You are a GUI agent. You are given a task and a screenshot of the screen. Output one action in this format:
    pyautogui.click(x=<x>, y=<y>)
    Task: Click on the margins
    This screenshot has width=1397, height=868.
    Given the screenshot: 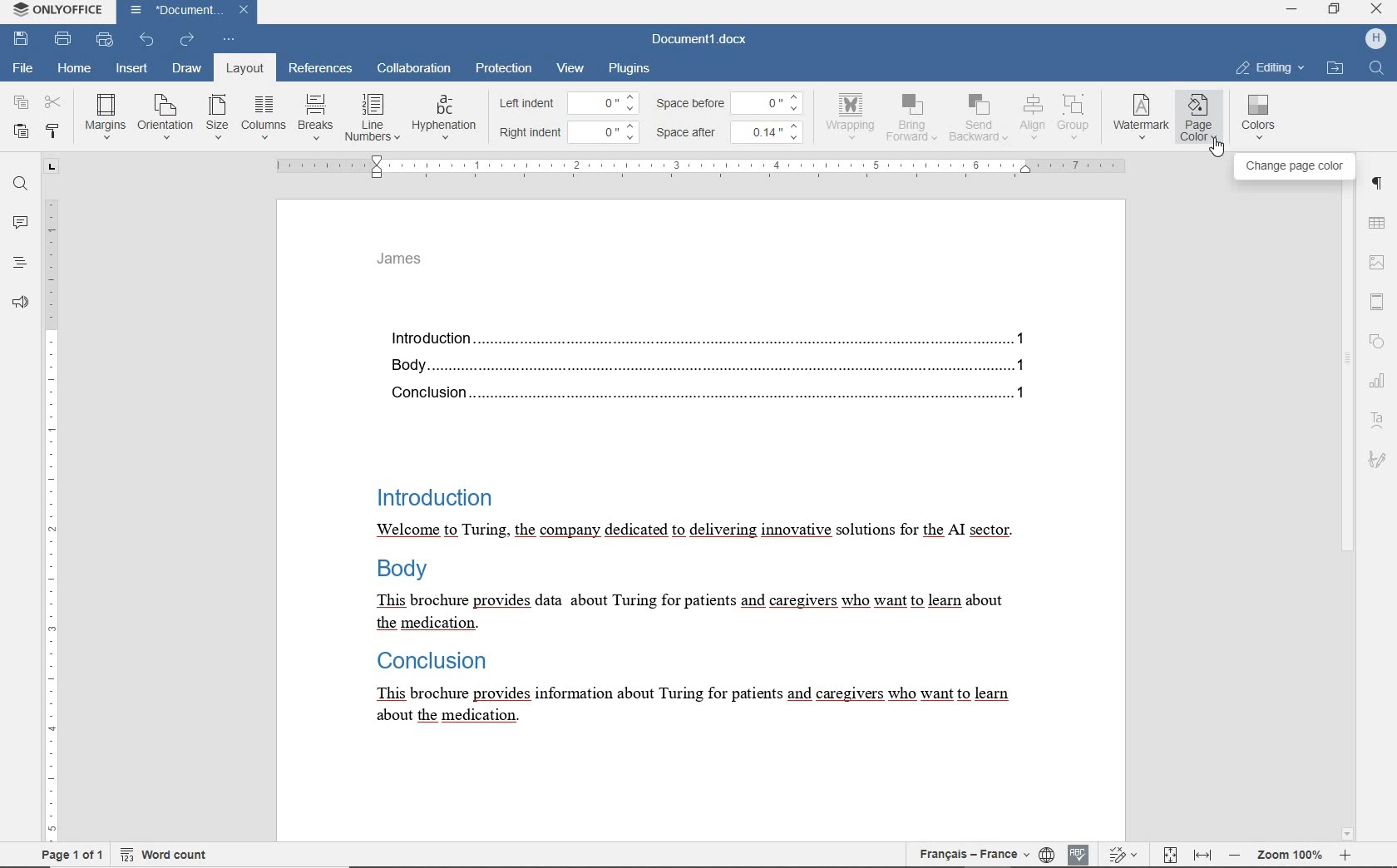 What is the action you would take?
    pyautogui.click(x=106, y=116)
    